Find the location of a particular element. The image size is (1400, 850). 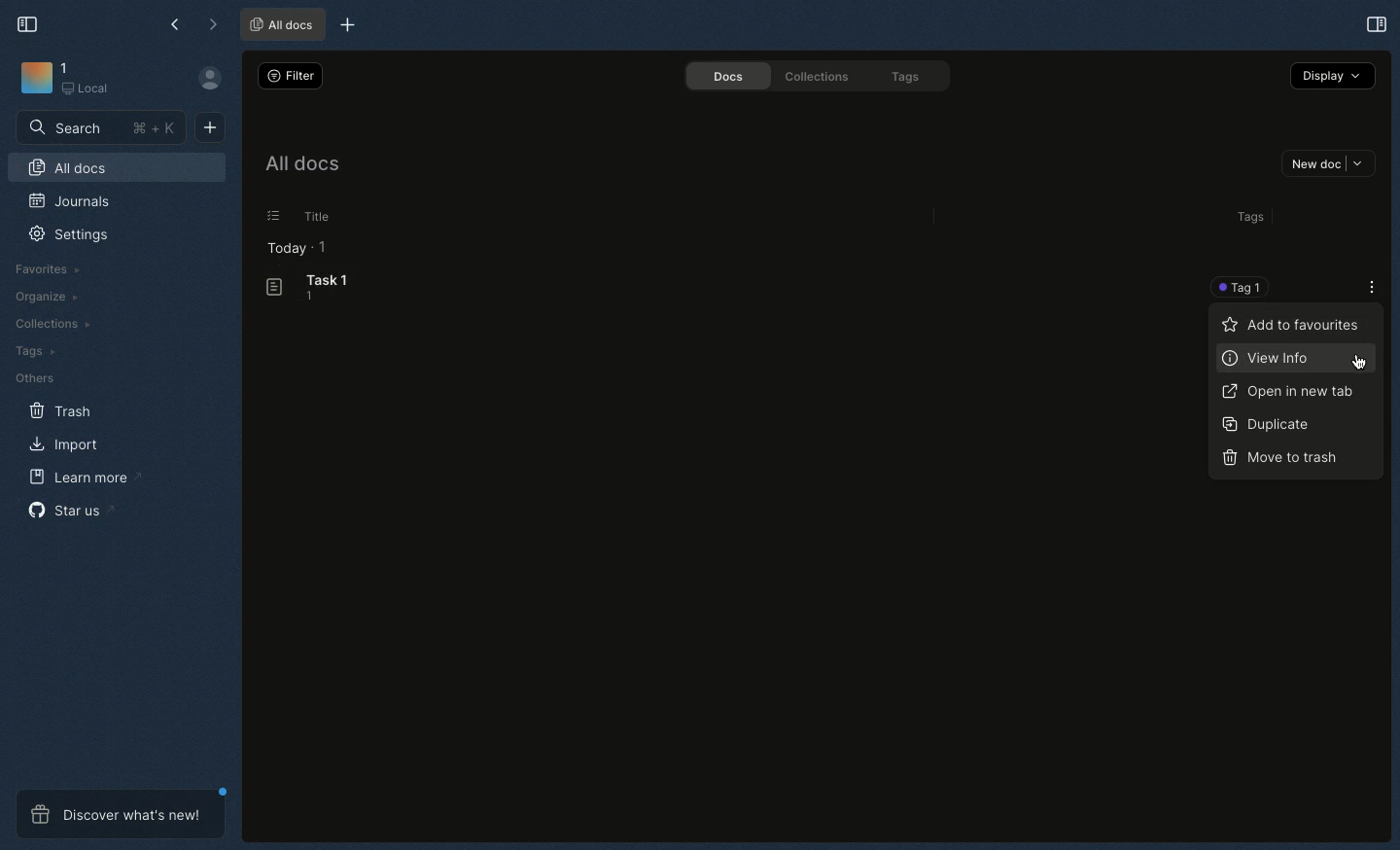

New tab is located at coordinates (347, 24).